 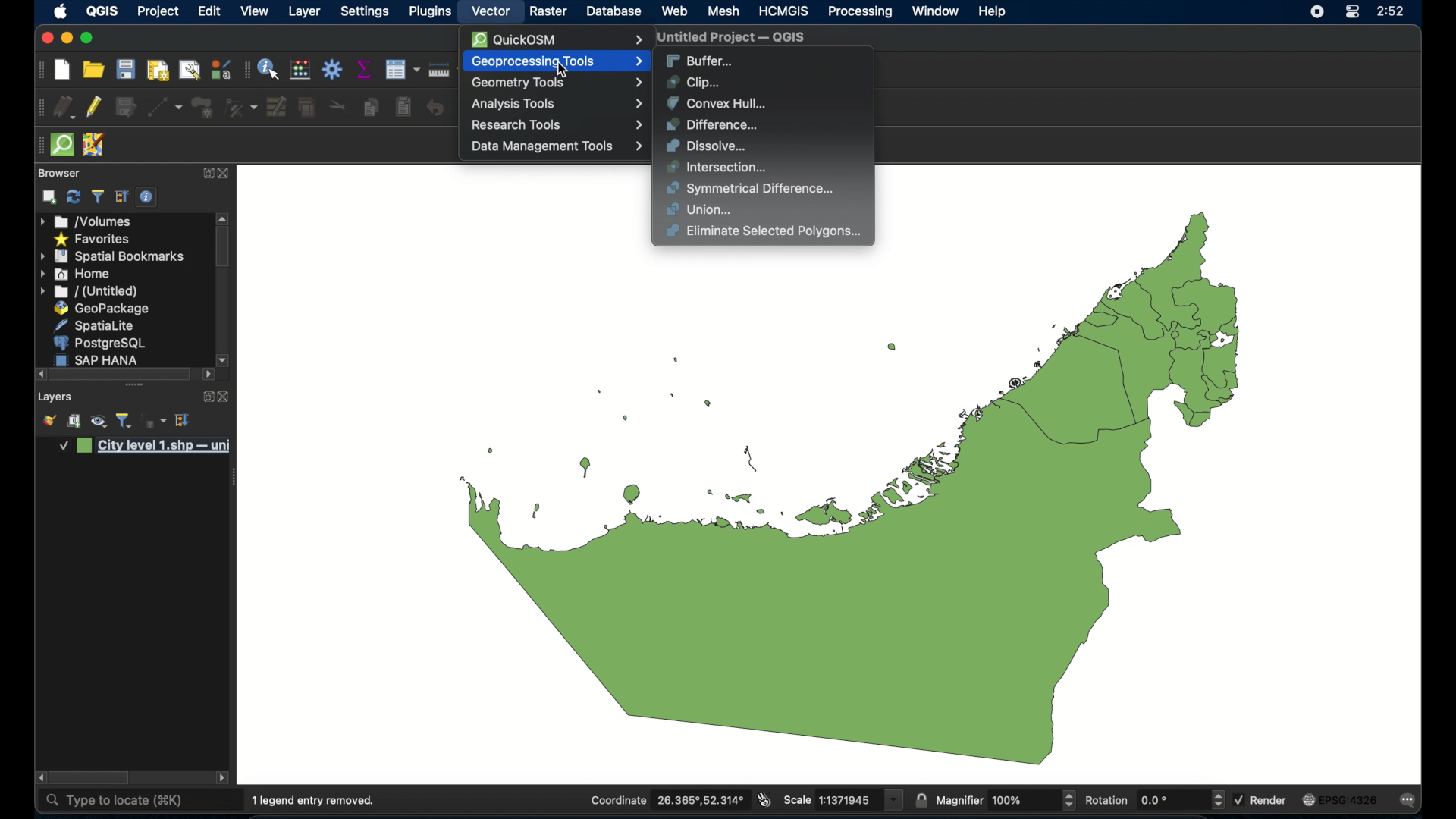 I want to click on close, so click(x=224, y=397).